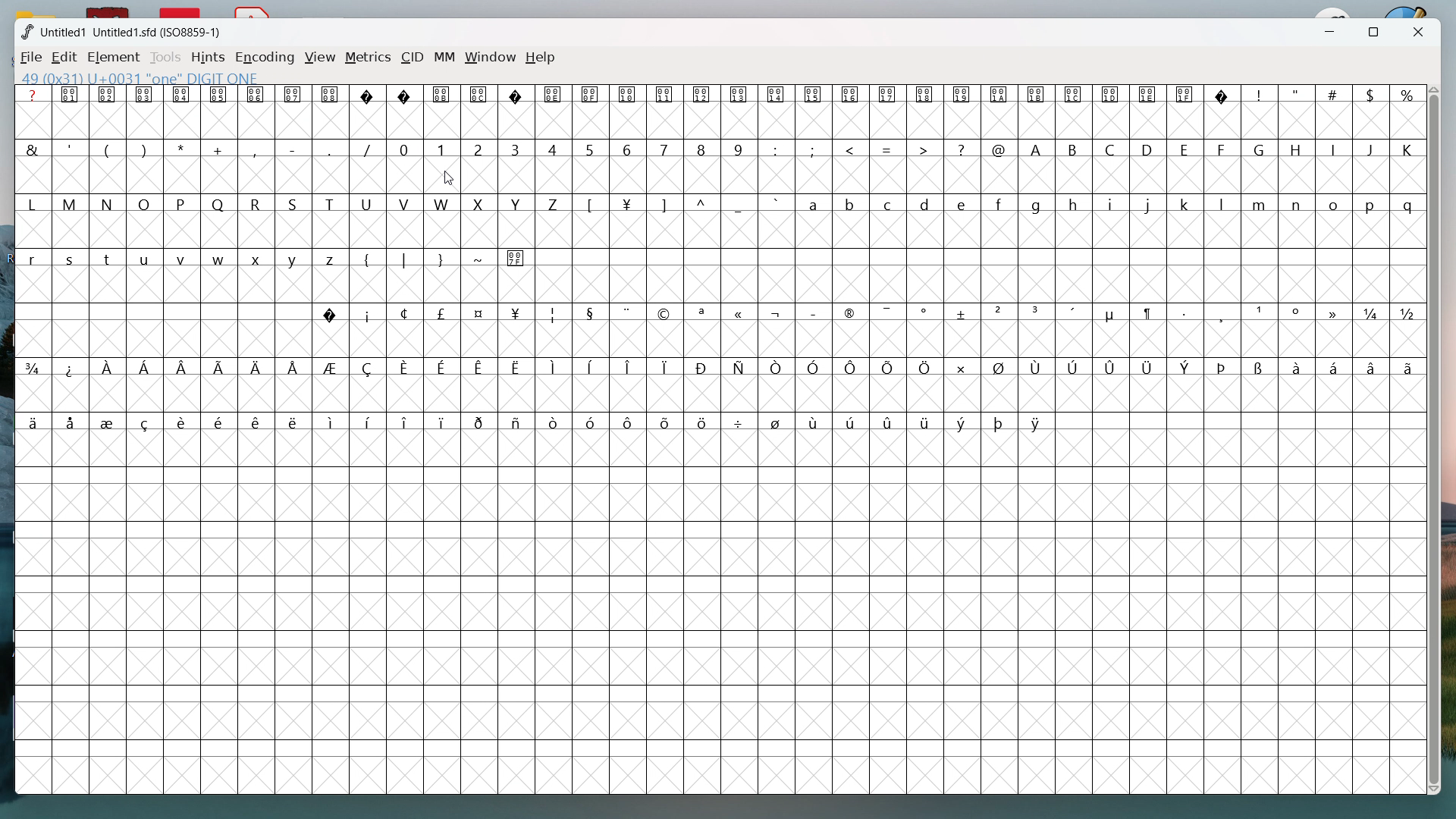 This screenshot has height=819, width=1456. I want to click on symbol, so click(1260, 367).